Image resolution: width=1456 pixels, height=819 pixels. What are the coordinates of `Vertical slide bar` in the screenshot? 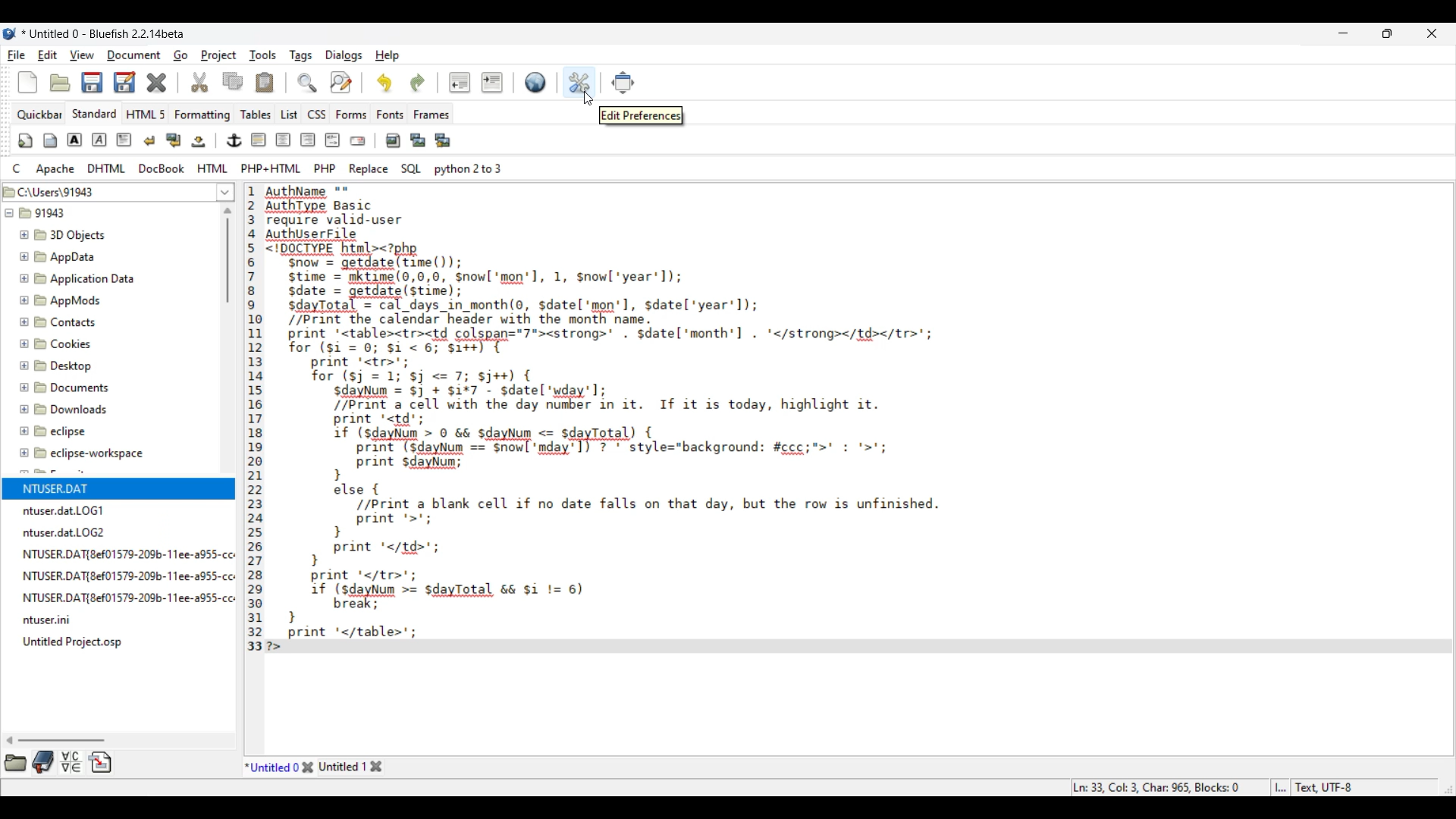 It's located at (227, 255).